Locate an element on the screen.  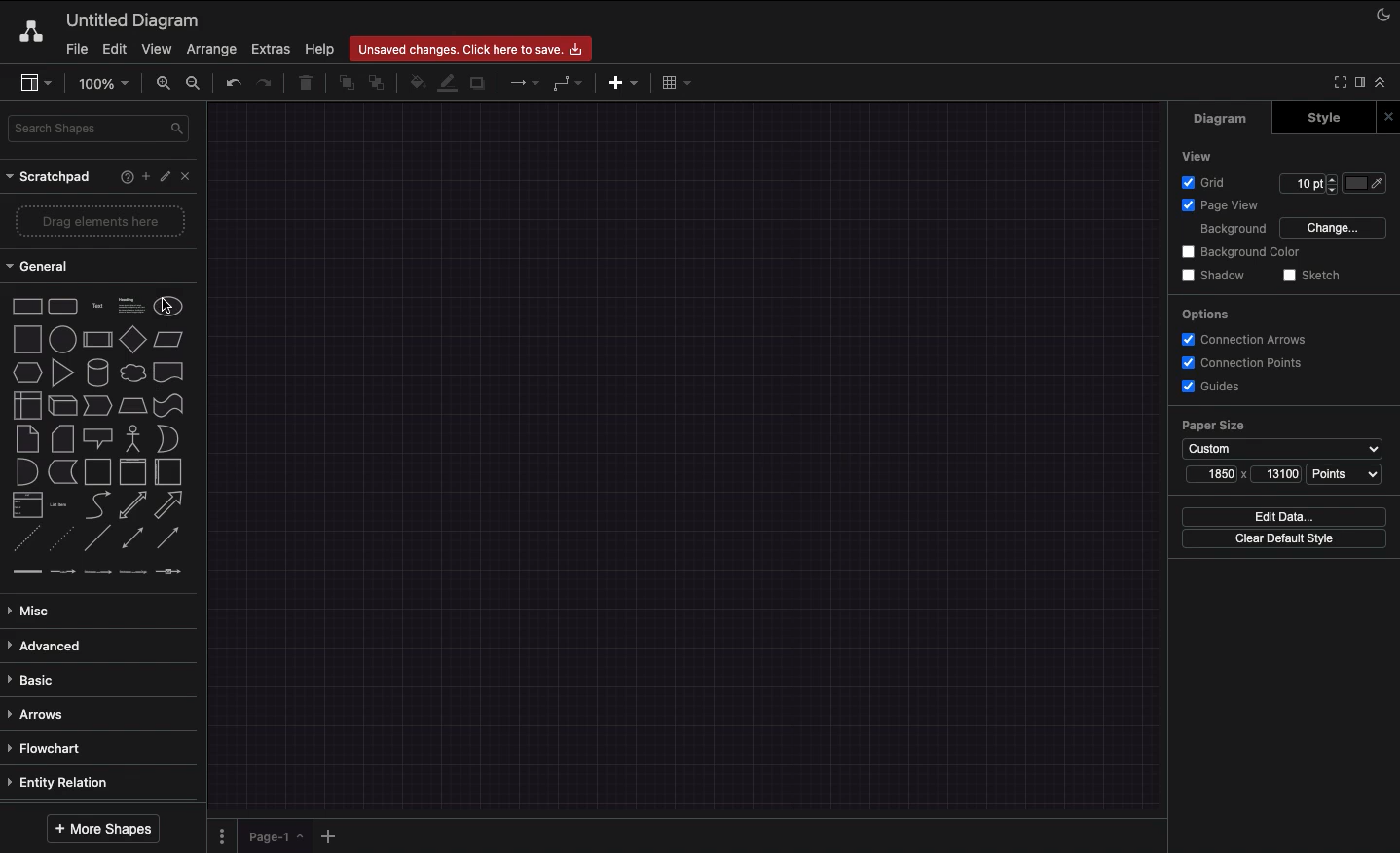
Sidebar  is located at coordinates (35, 84).